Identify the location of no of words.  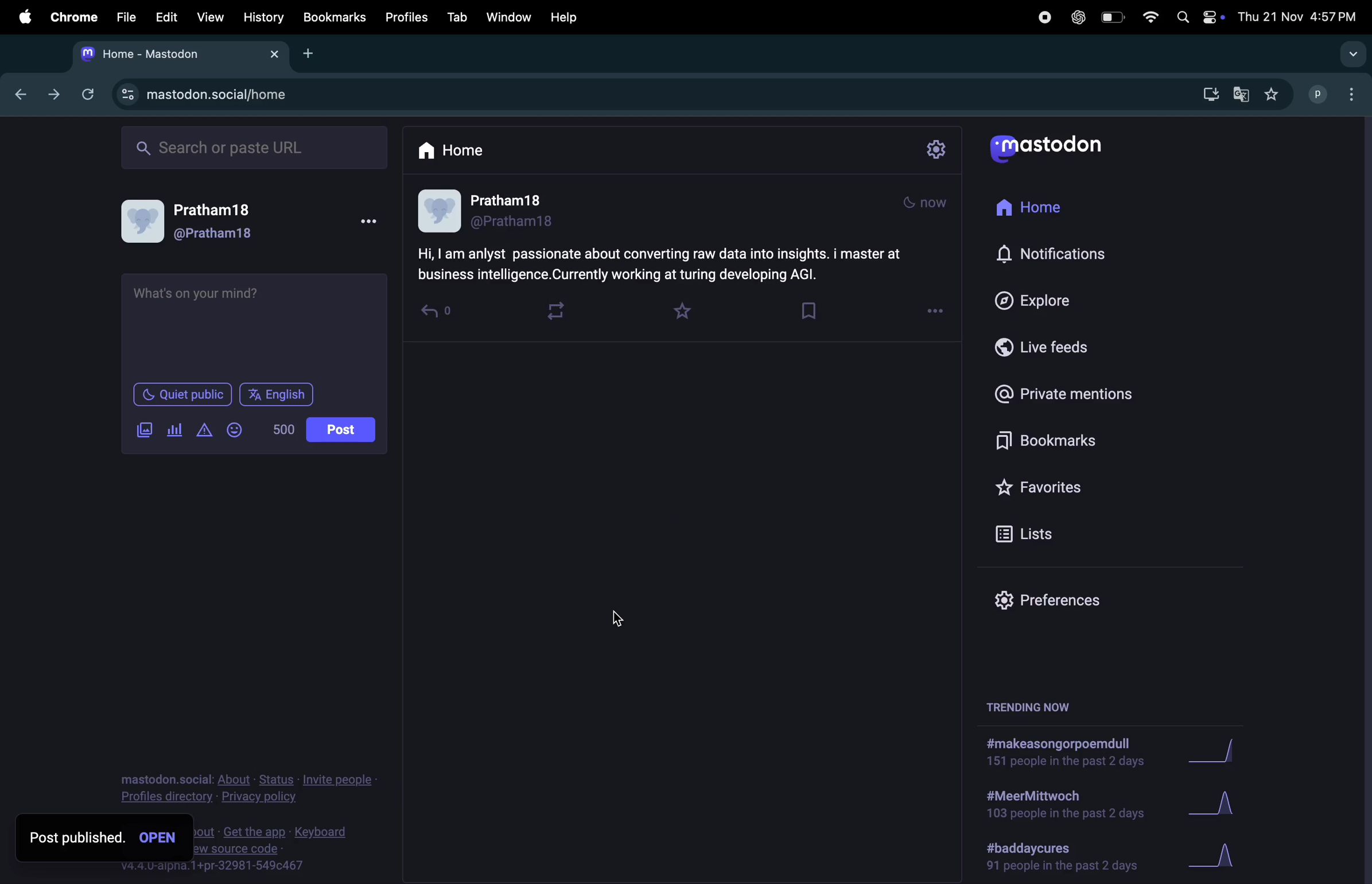
(286, 431).